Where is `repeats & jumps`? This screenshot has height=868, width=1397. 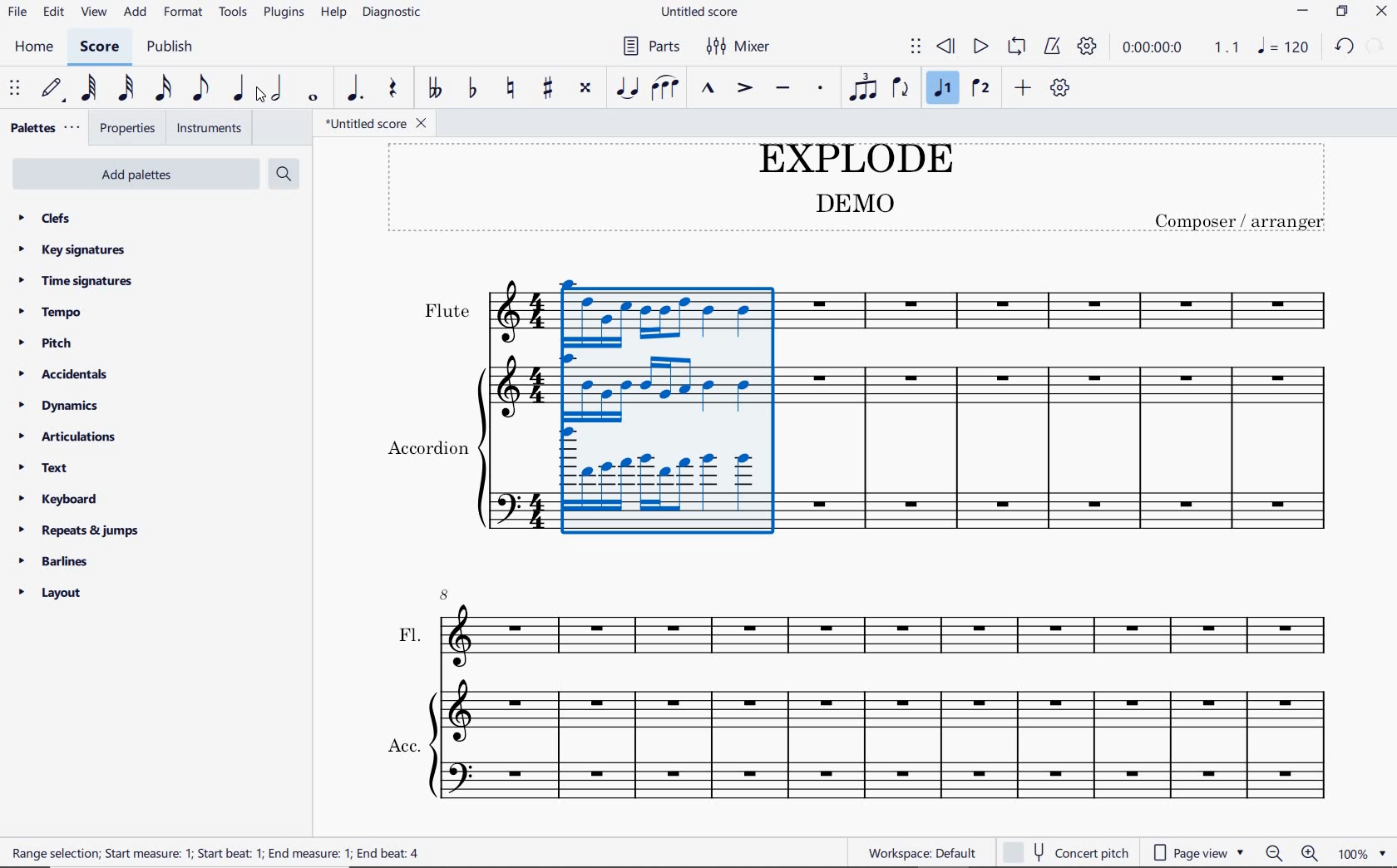 repeats & jumps is located at coordinates (82, 530).